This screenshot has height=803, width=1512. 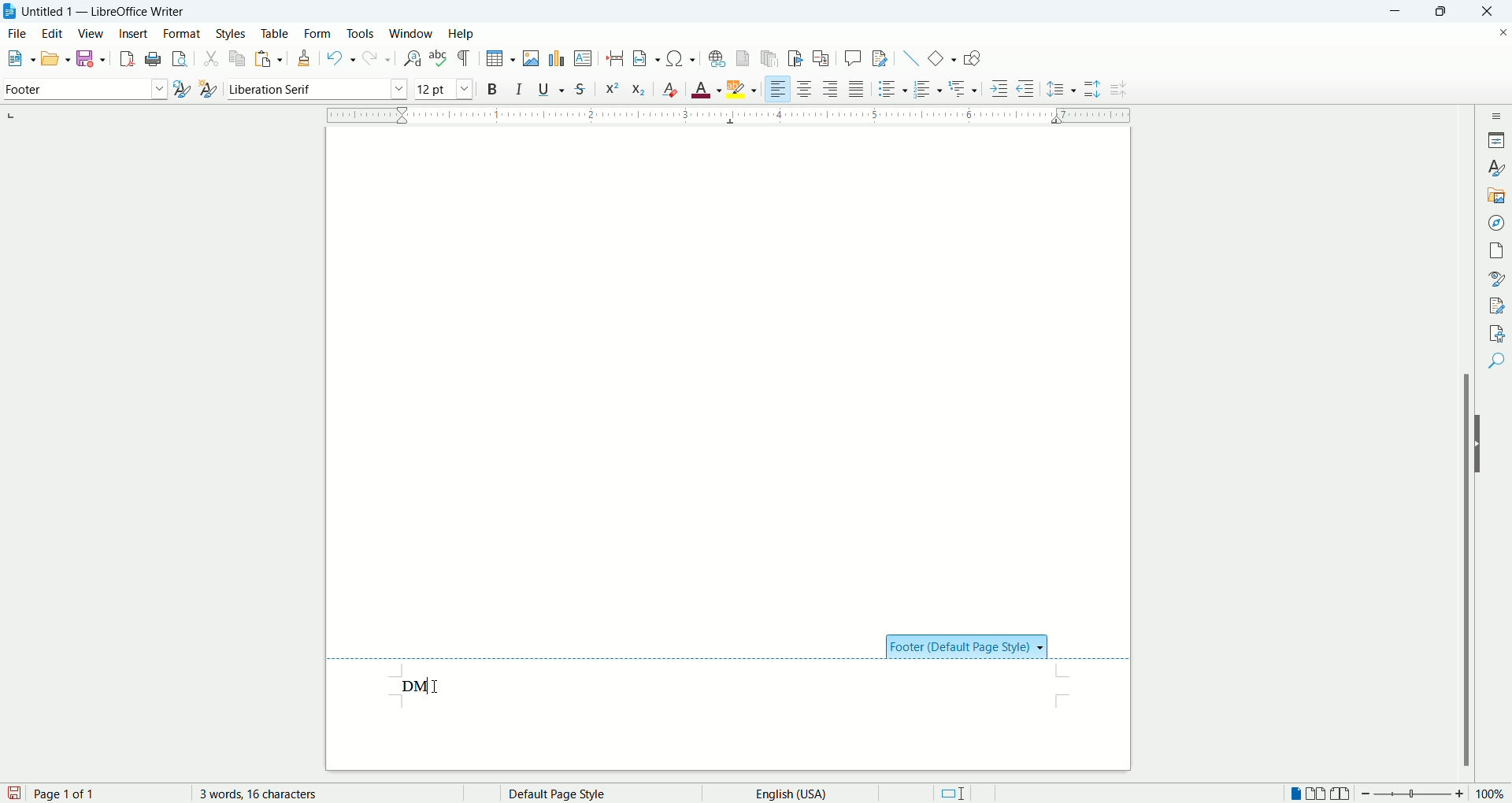 What do you see at coordinates (467, 57) in the screenshot?
I see `formatting marks` at bounding box center [467, 57].